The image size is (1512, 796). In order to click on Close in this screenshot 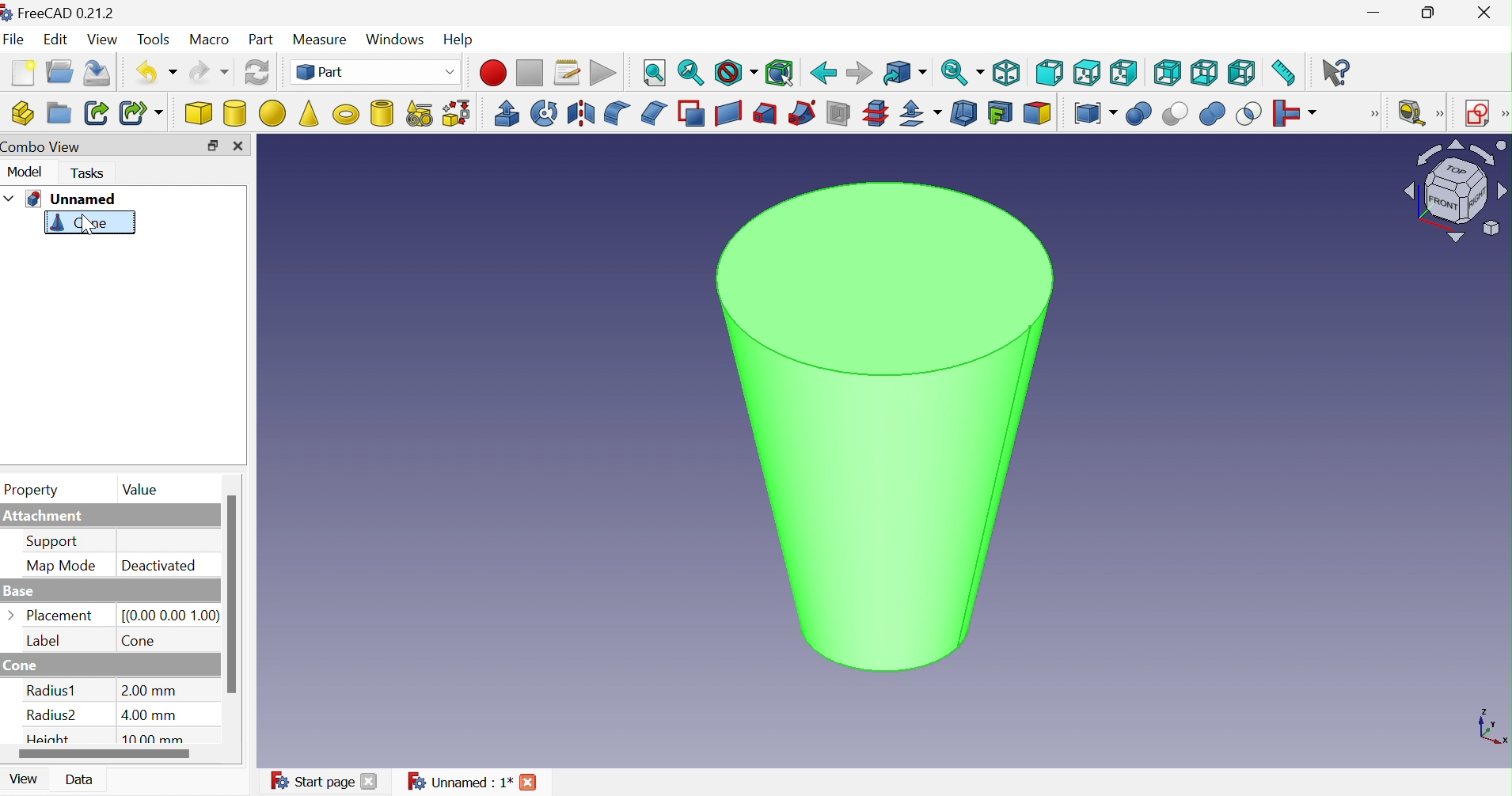, I will do `click(1486, 11)`.